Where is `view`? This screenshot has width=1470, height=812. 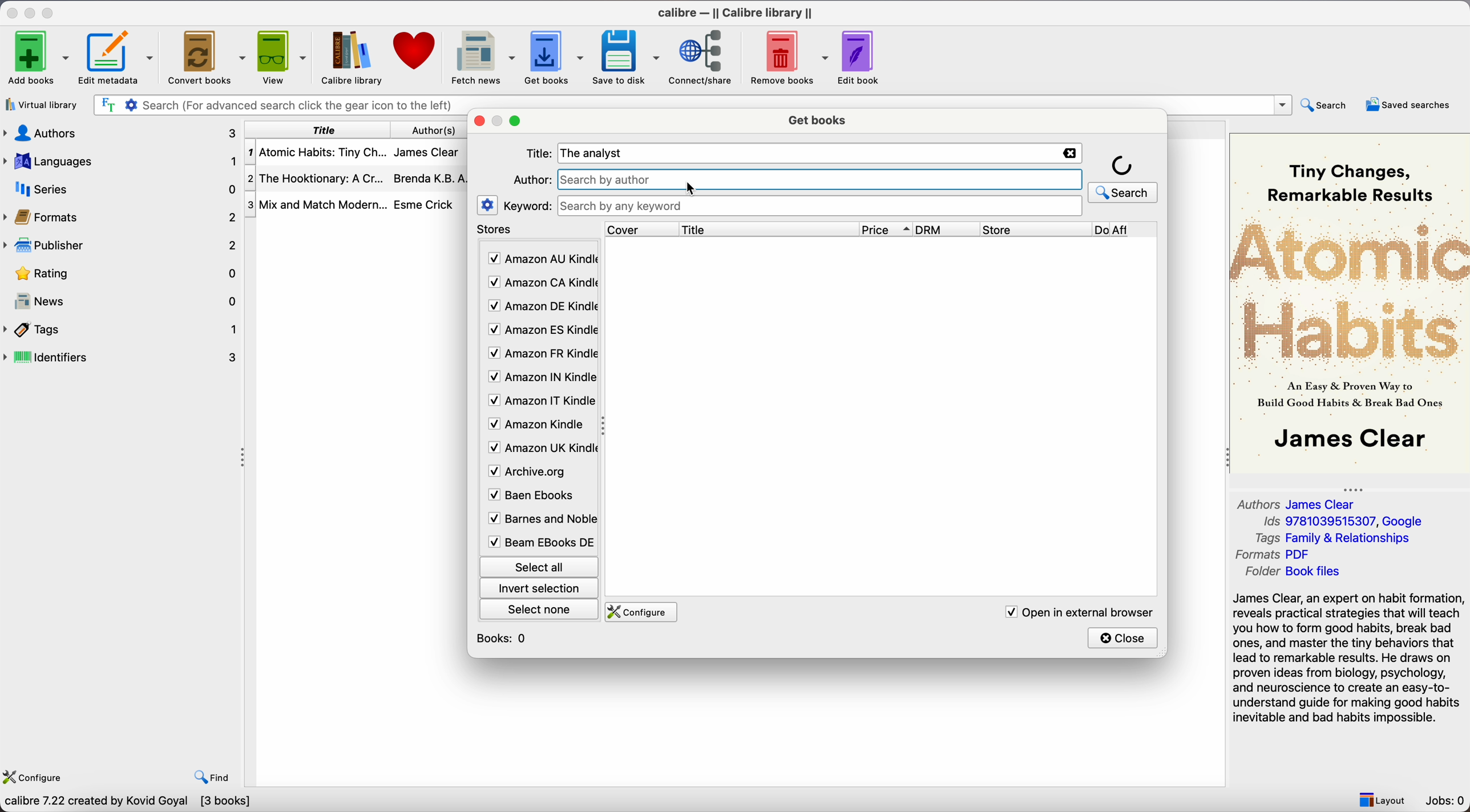 view is located at coordinates (281, 57).